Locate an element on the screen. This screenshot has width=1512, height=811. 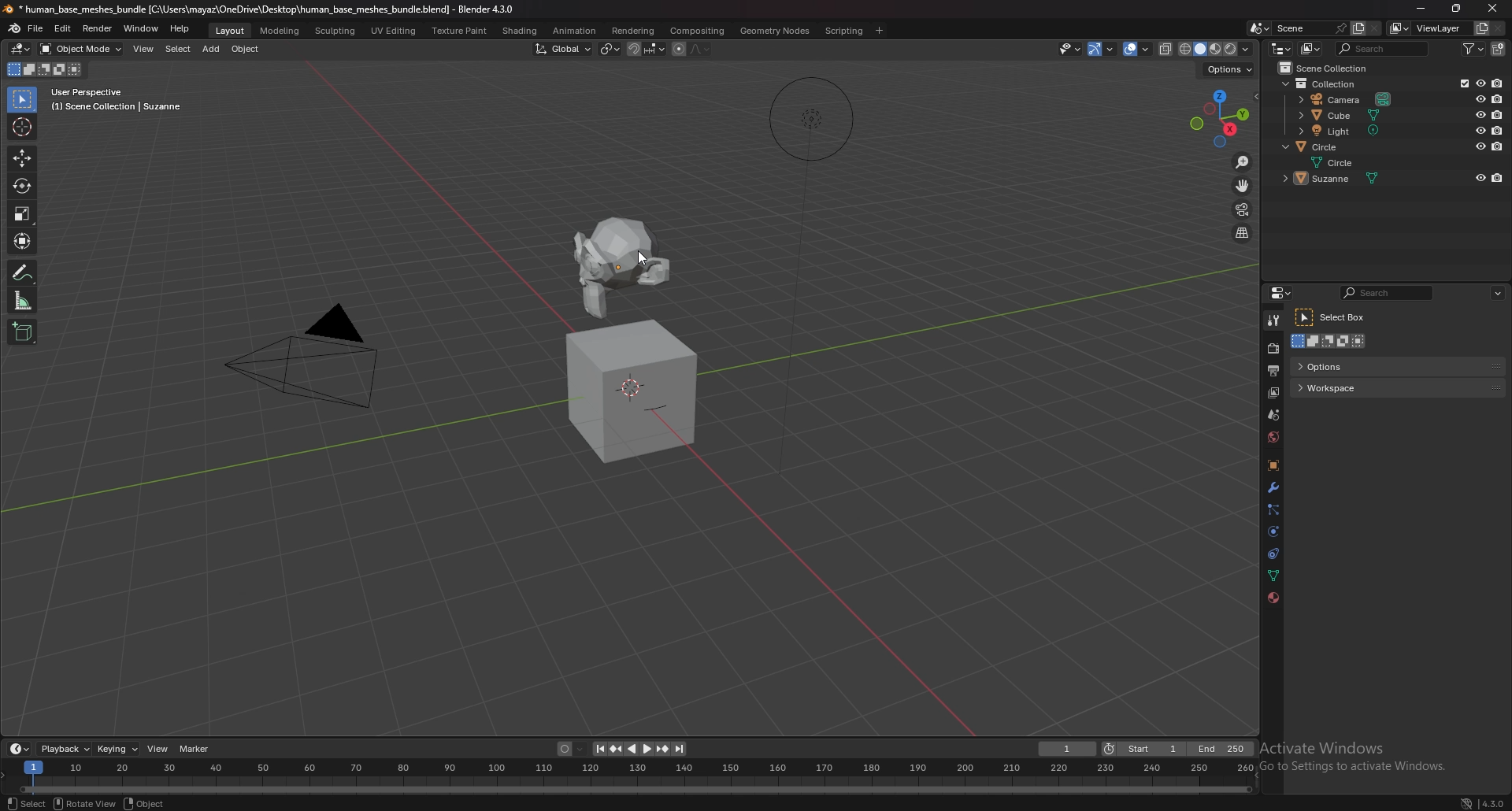
playback is located at coordinates (64, 750).